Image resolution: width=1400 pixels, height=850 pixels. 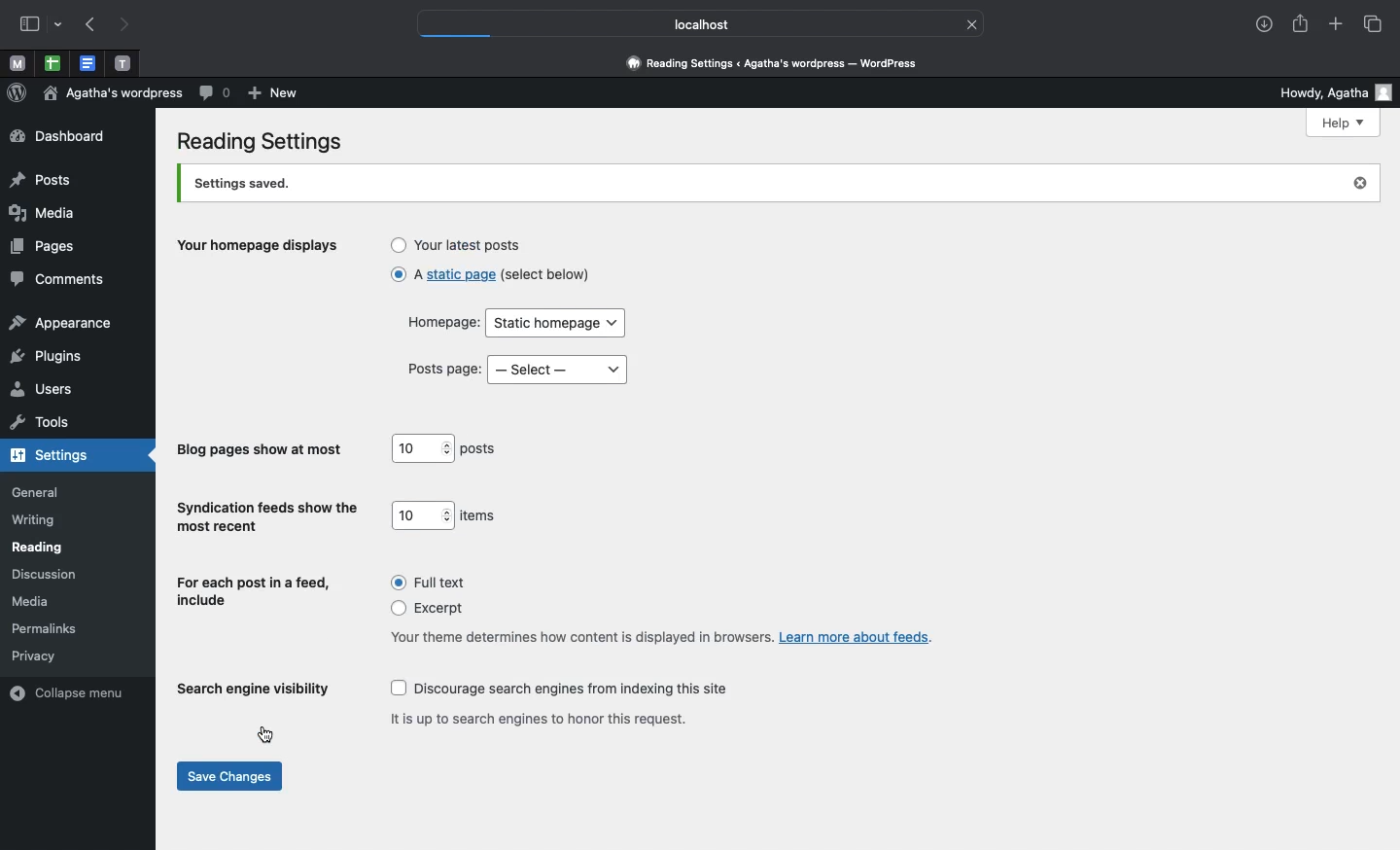 I want to click on close, so click(x=1363, y=182).